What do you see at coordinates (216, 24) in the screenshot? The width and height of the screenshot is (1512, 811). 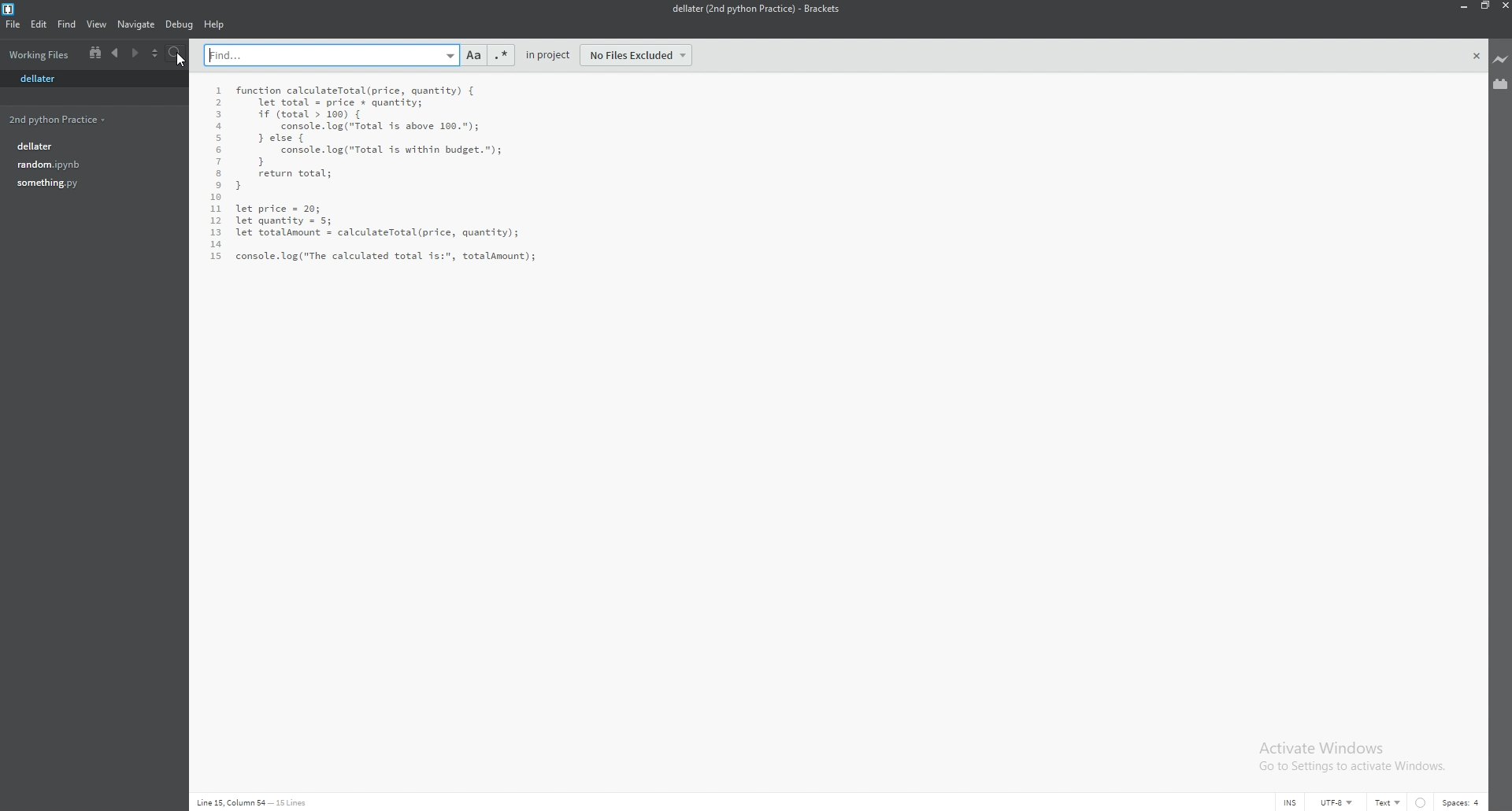 I see `help` at bounding box center [216, 24].